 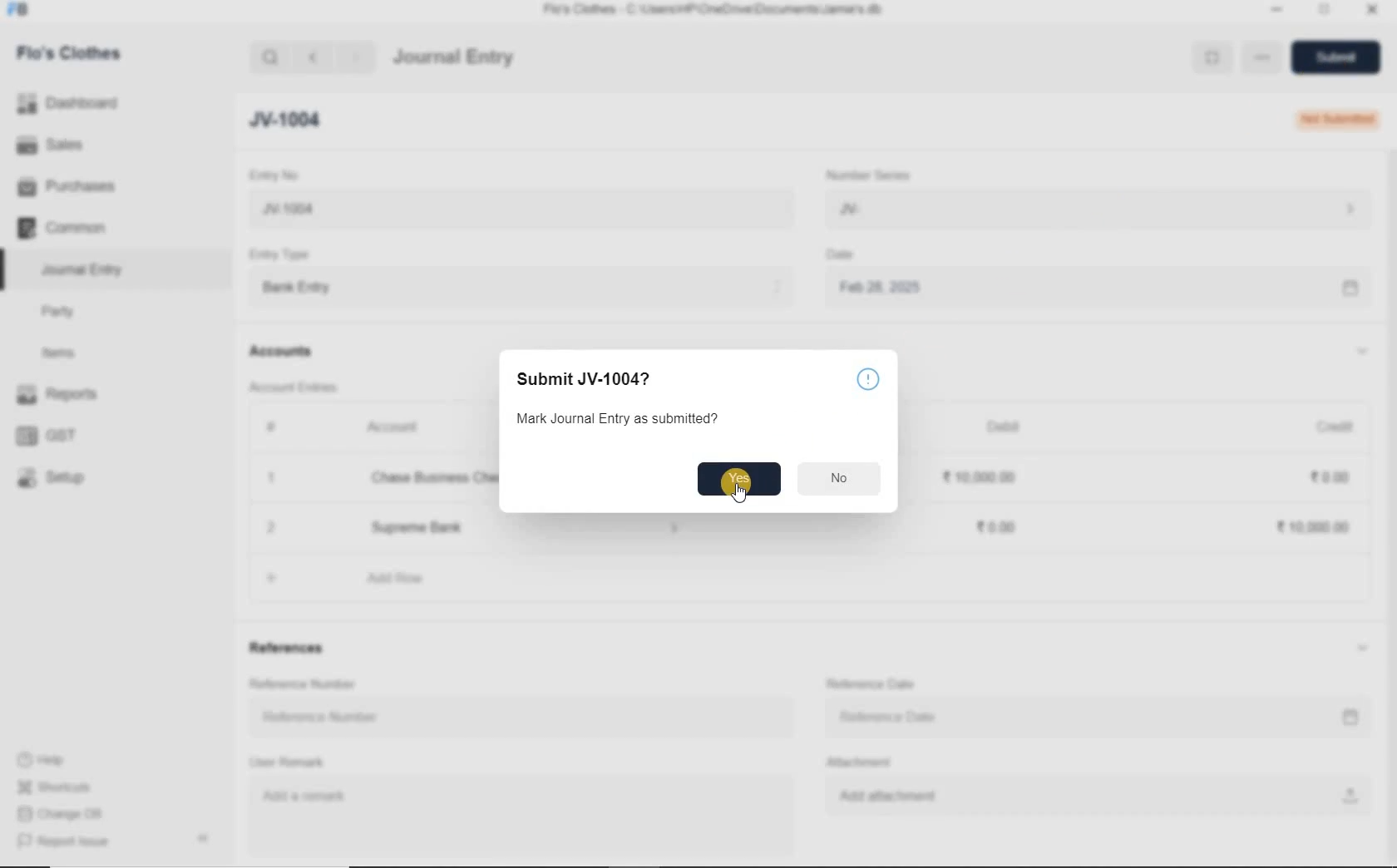 I want to click on No, so click(x=842, y=476).